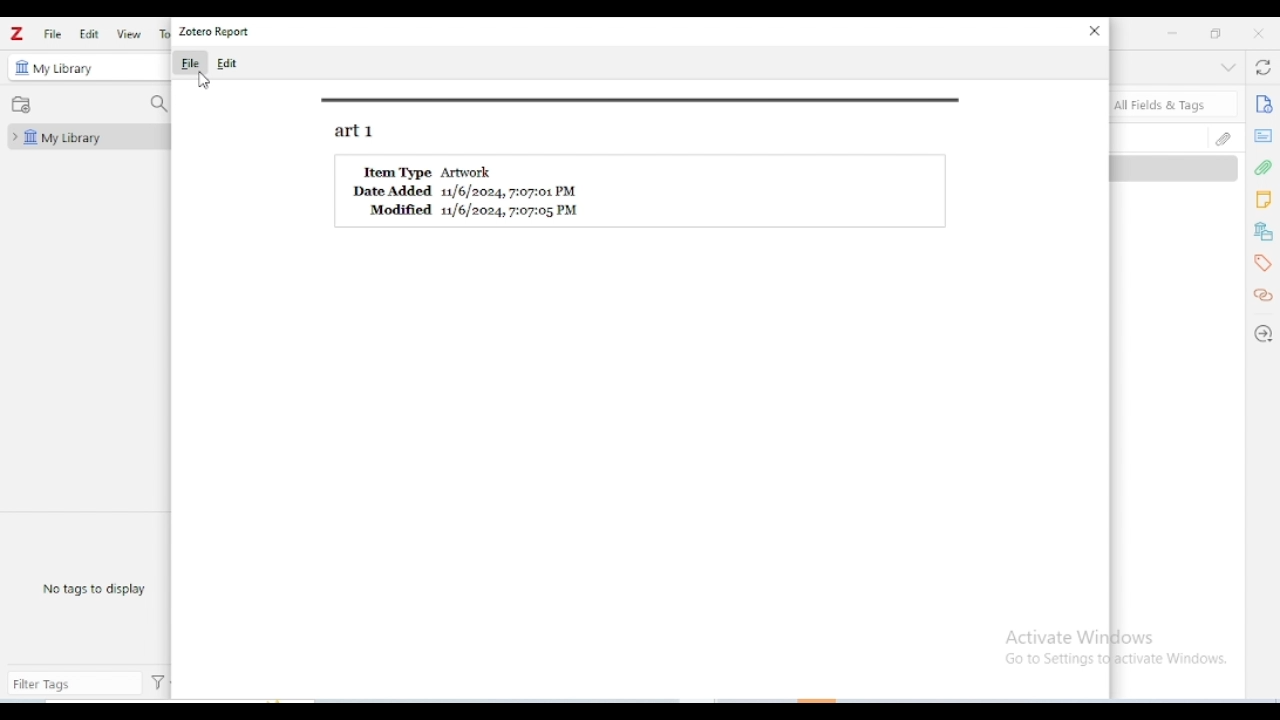 The width and height of the screenshot is (1280, 720). I want to click on border, so click(643, 100).